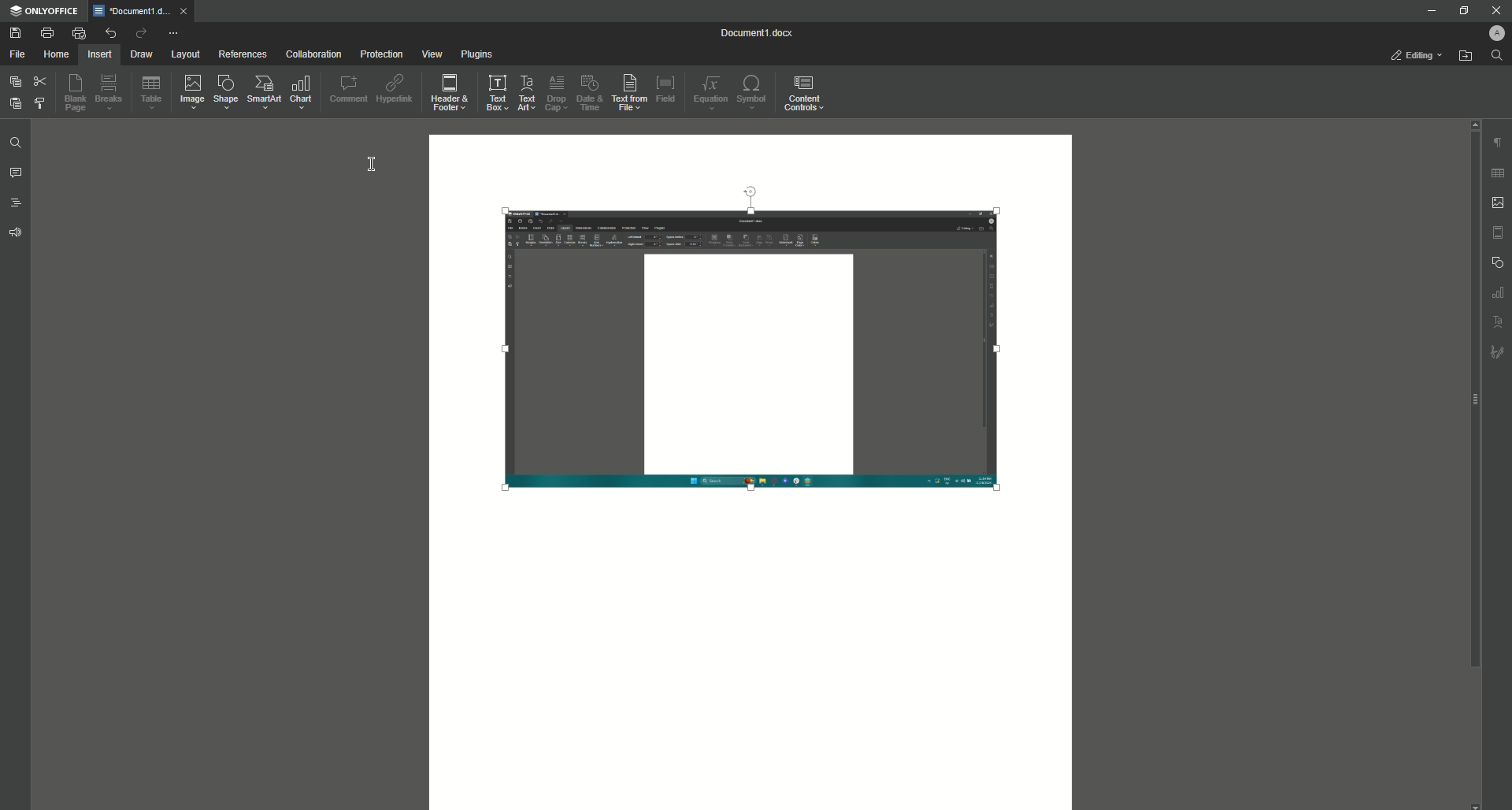  I want to click on Undo, so click(110, 33).